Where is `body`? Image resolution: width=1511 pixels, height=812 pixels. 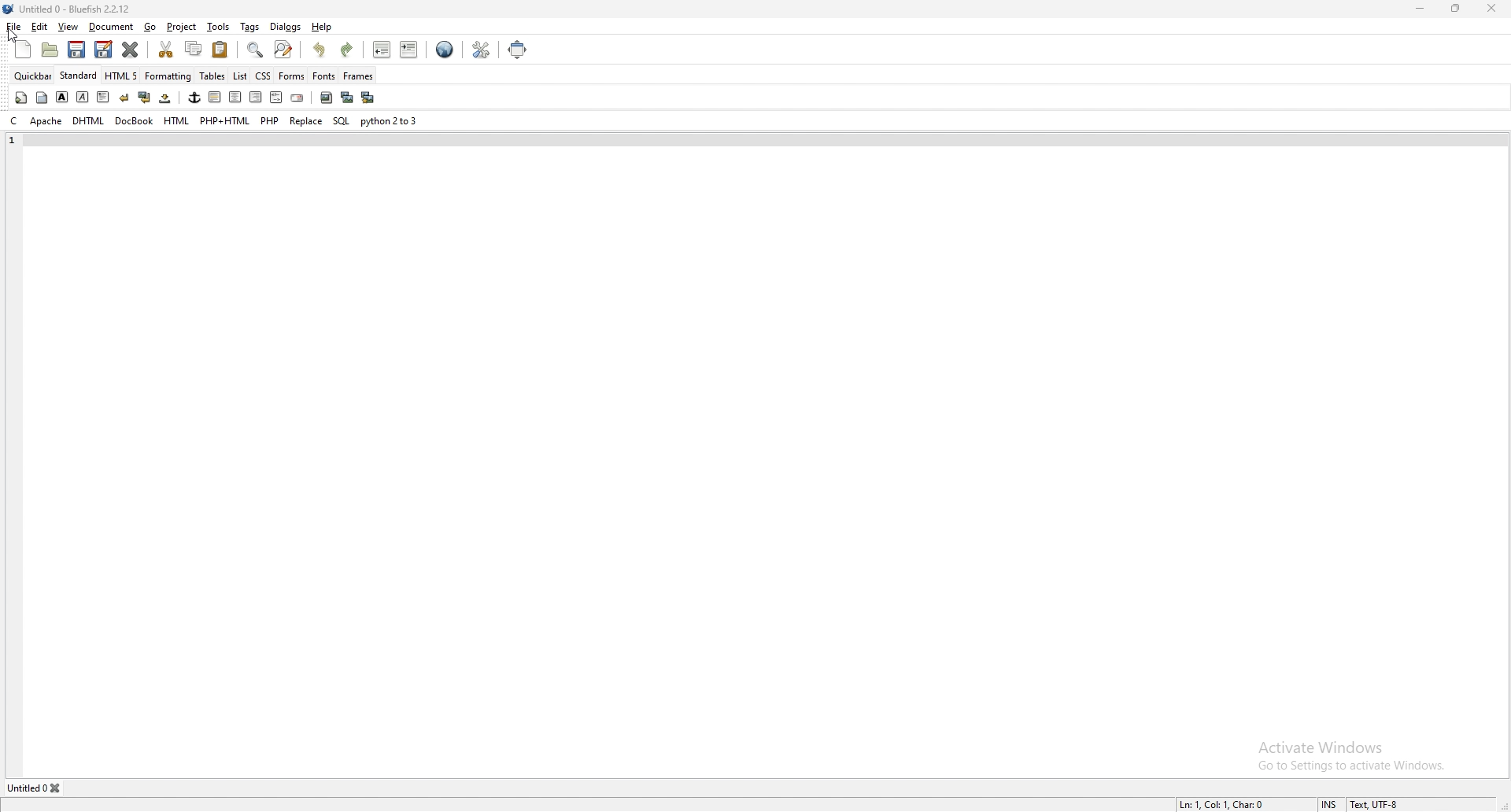
body is located at coordinates (42, 98).